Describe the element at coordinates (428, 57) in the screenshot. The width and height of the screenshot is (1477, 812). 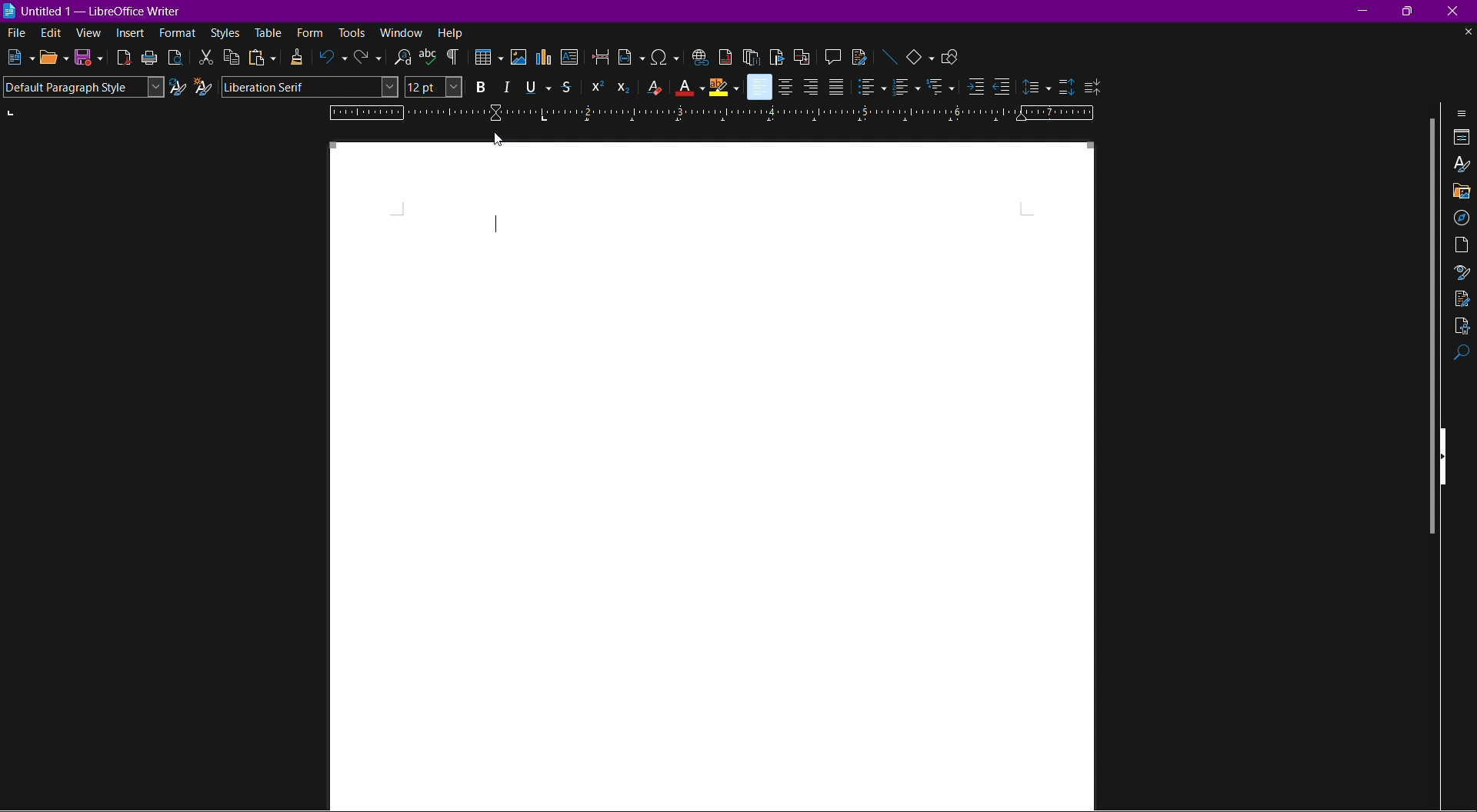
I see `Spellcheck` at that location.